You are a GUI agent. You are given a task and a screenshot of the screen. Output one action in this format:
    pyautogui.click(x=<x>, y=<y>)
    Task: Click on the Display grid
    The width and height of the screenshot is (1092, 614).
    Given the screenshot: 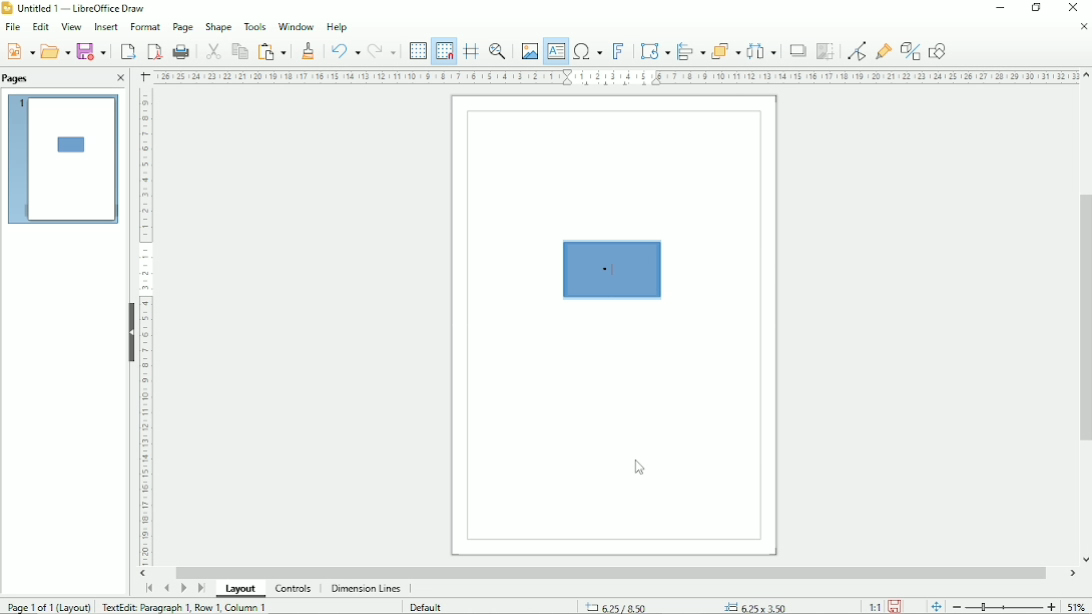 What is the action you would take?
    pyautogui.click(x=417, y=49)
    